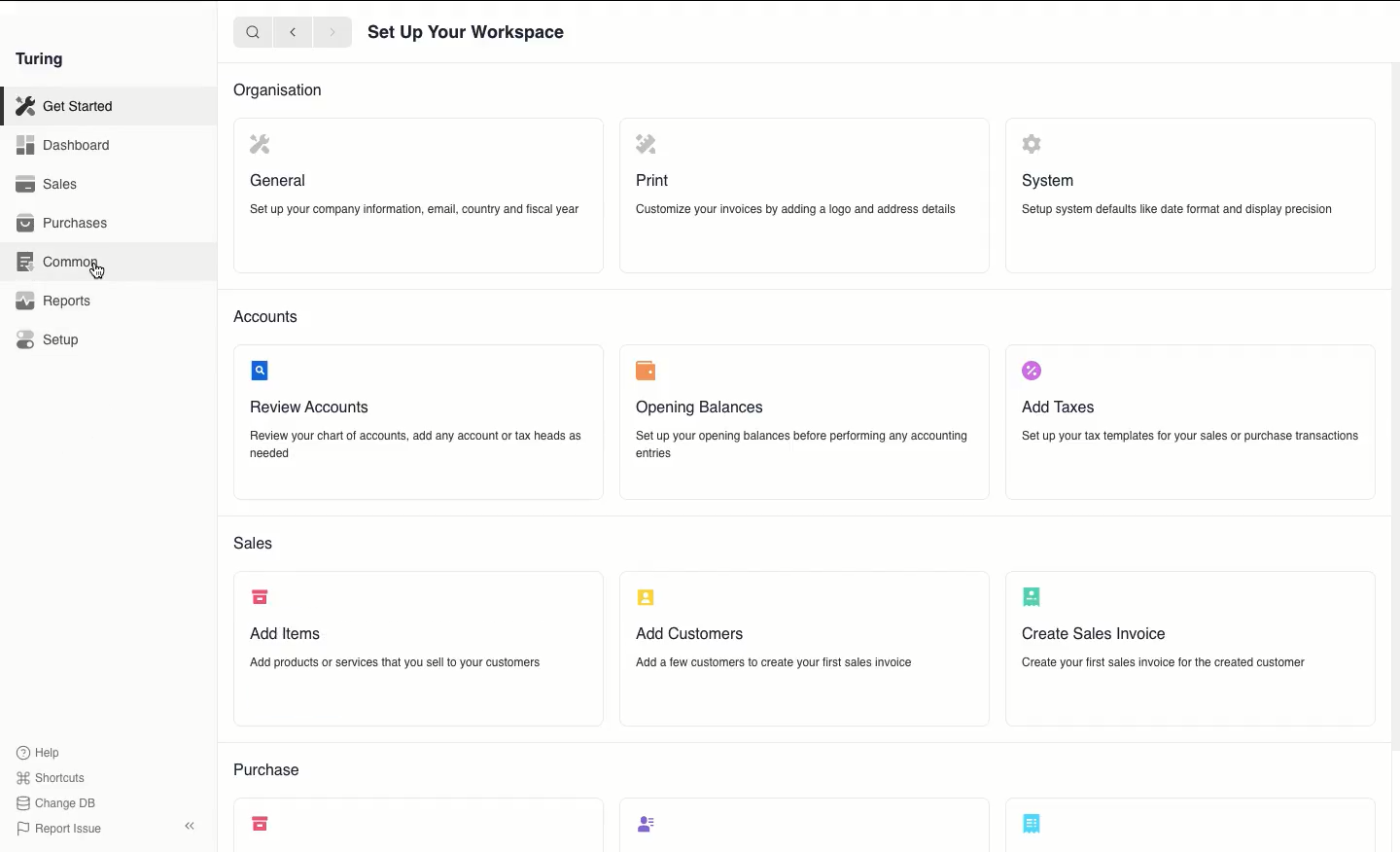 The height and width of the screenshot is (852, 1400). Describe the element at coordinates (265, 824) in the screenshot. I see `Add items` at that location.